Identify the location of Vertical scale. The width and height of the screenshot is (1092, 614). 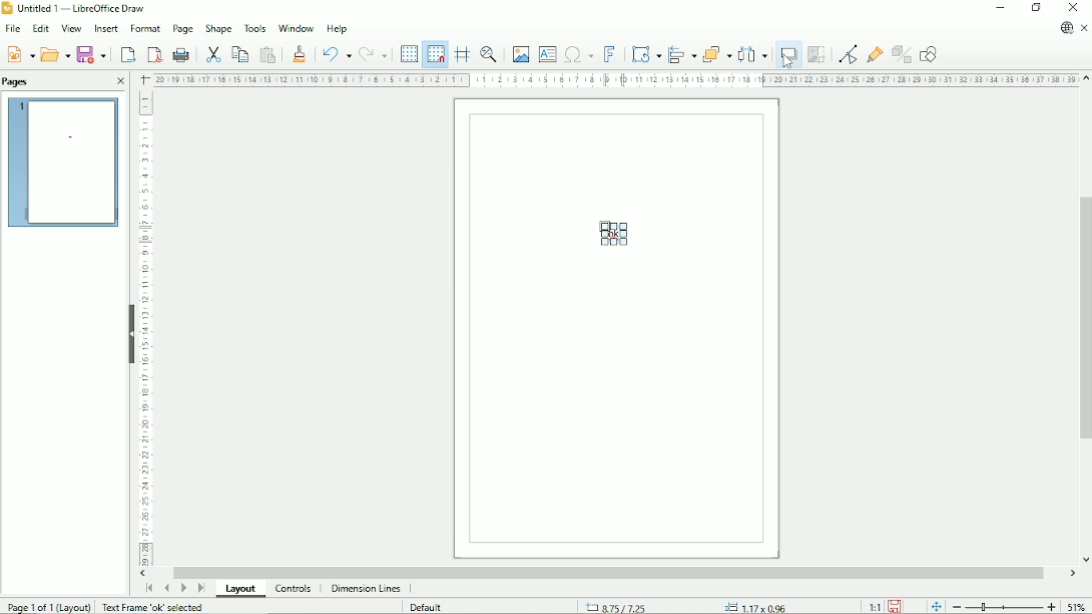
(145, 328).